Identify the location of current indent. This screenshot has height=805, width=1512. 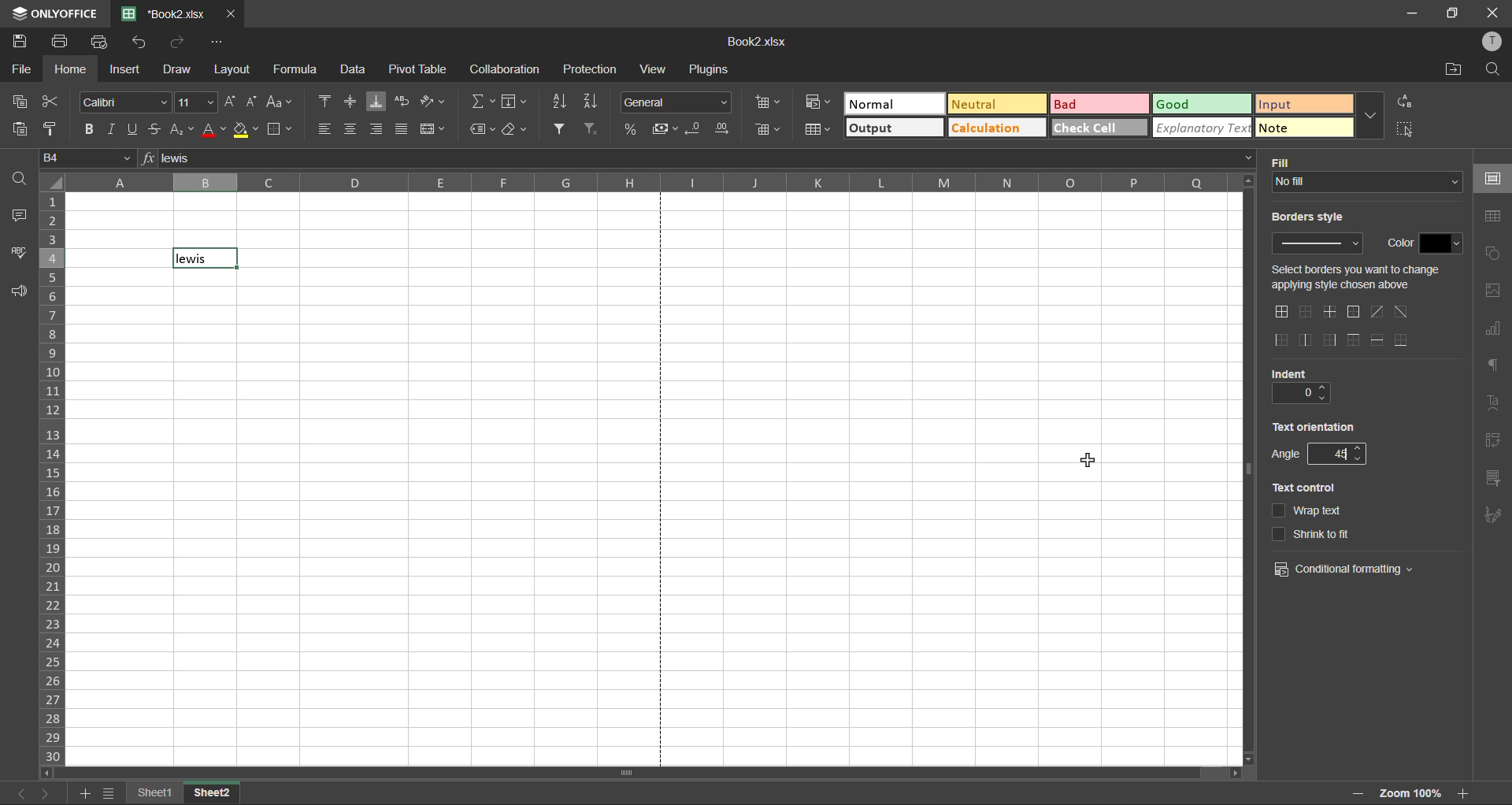
(1293, 394).